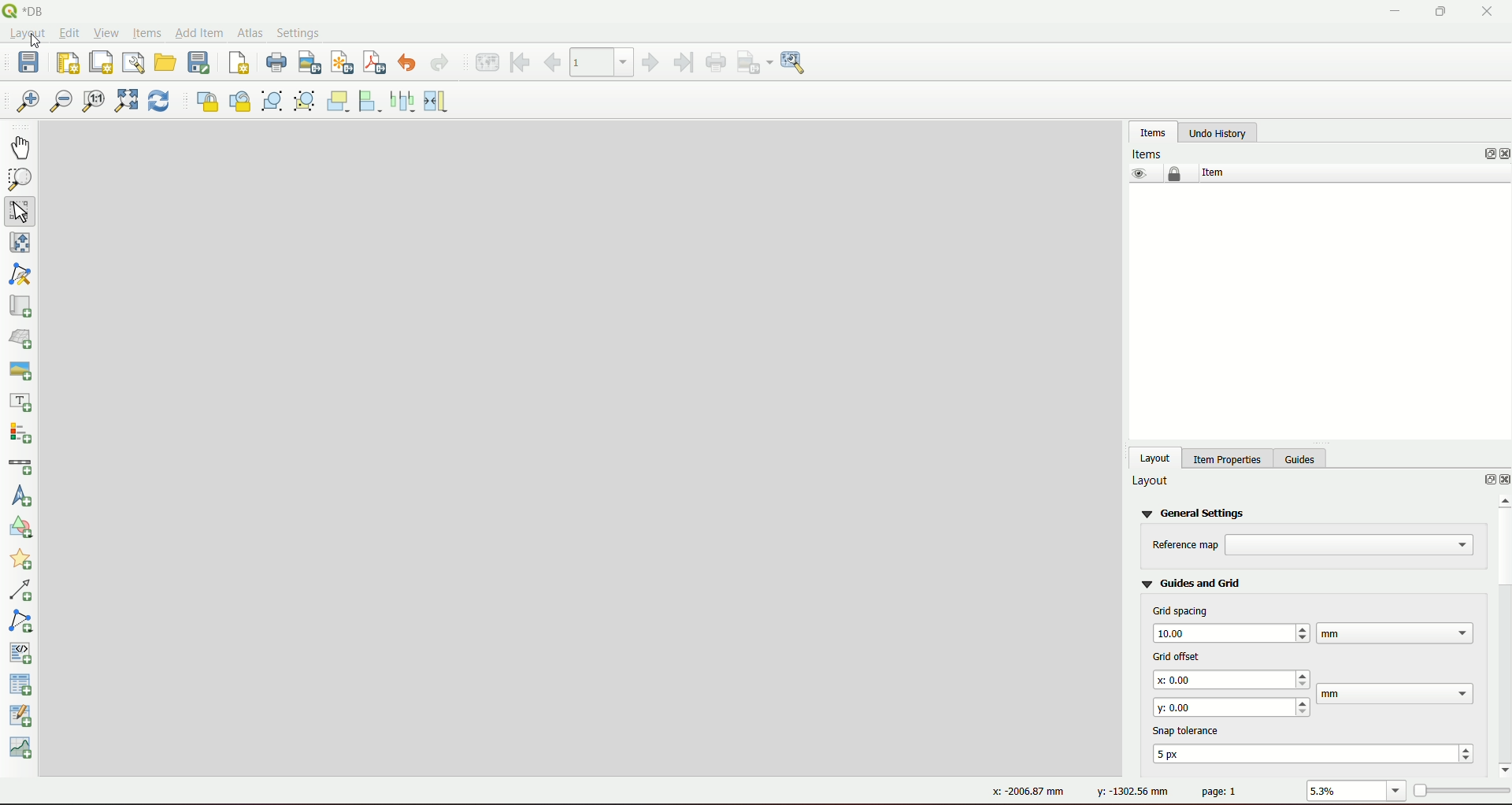 This screenshot has width=1512, height=805. Describe the element at coordinates (1344, 792) in the screenshot. I see `value` at that location.